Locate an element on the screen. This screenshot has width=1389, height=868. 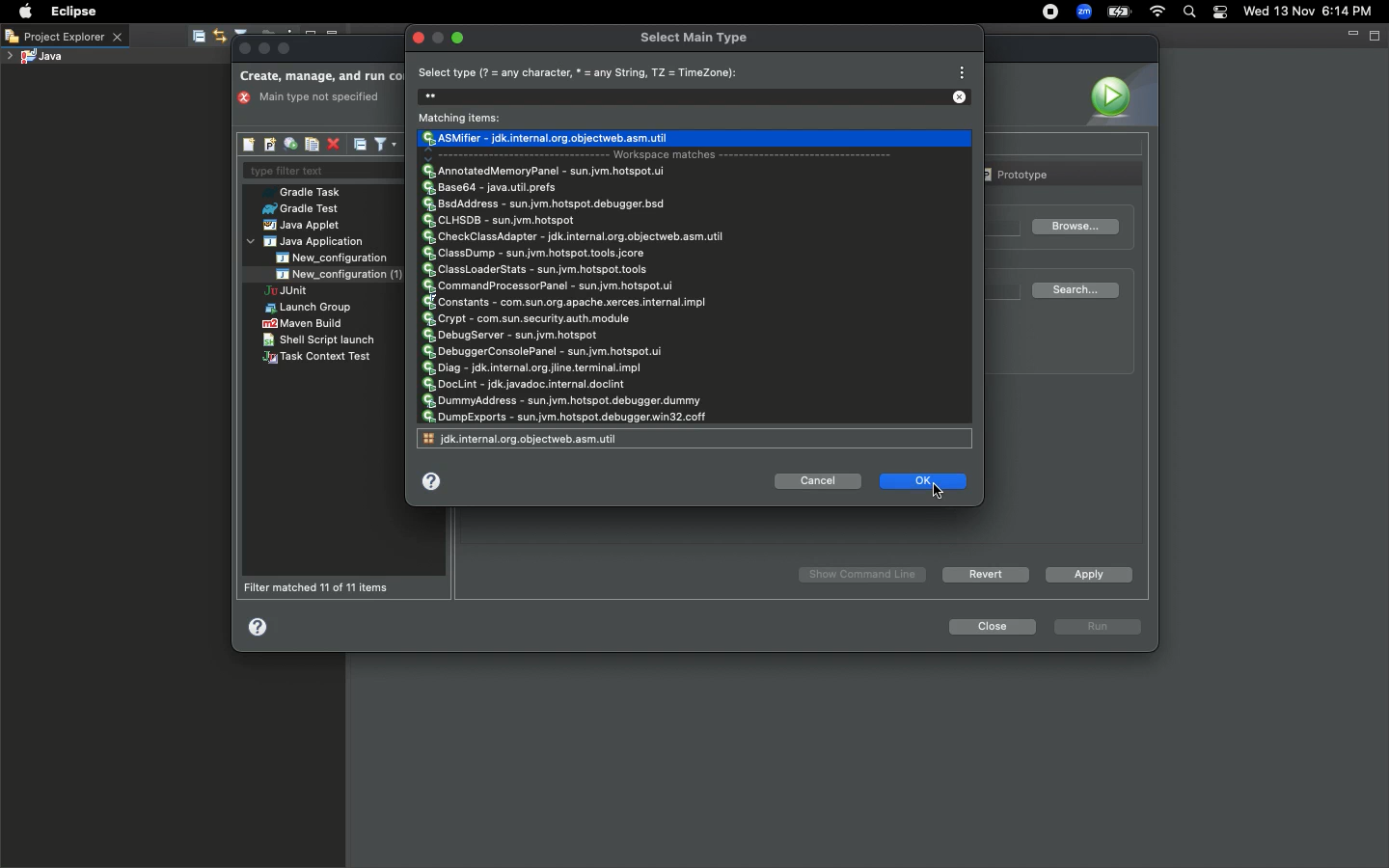
Filter launch configurations is located at coordinates (385, 143).